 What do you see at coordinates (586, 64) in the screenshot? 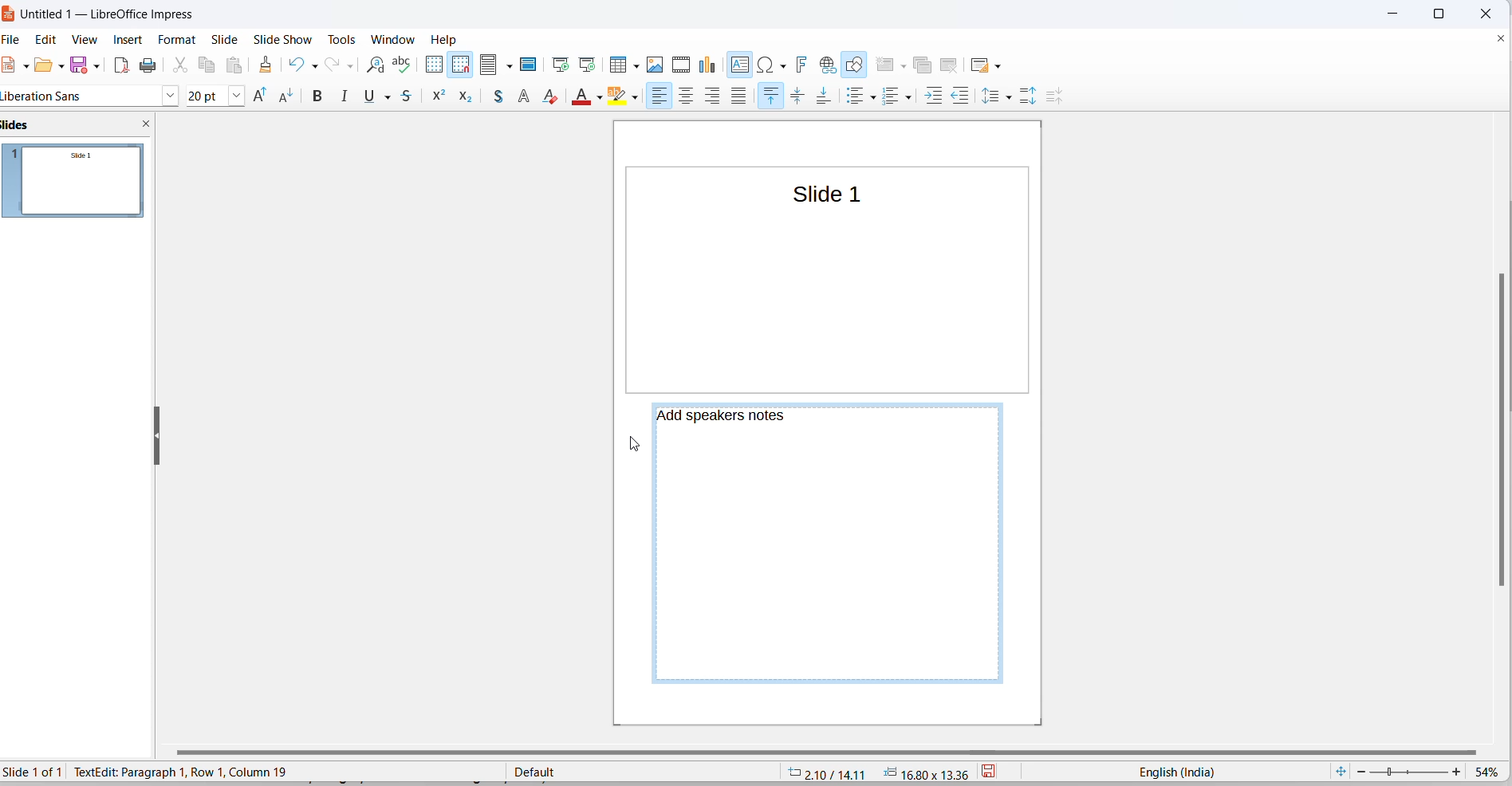
I see `start from current slide` at bounding box center [586, 64].